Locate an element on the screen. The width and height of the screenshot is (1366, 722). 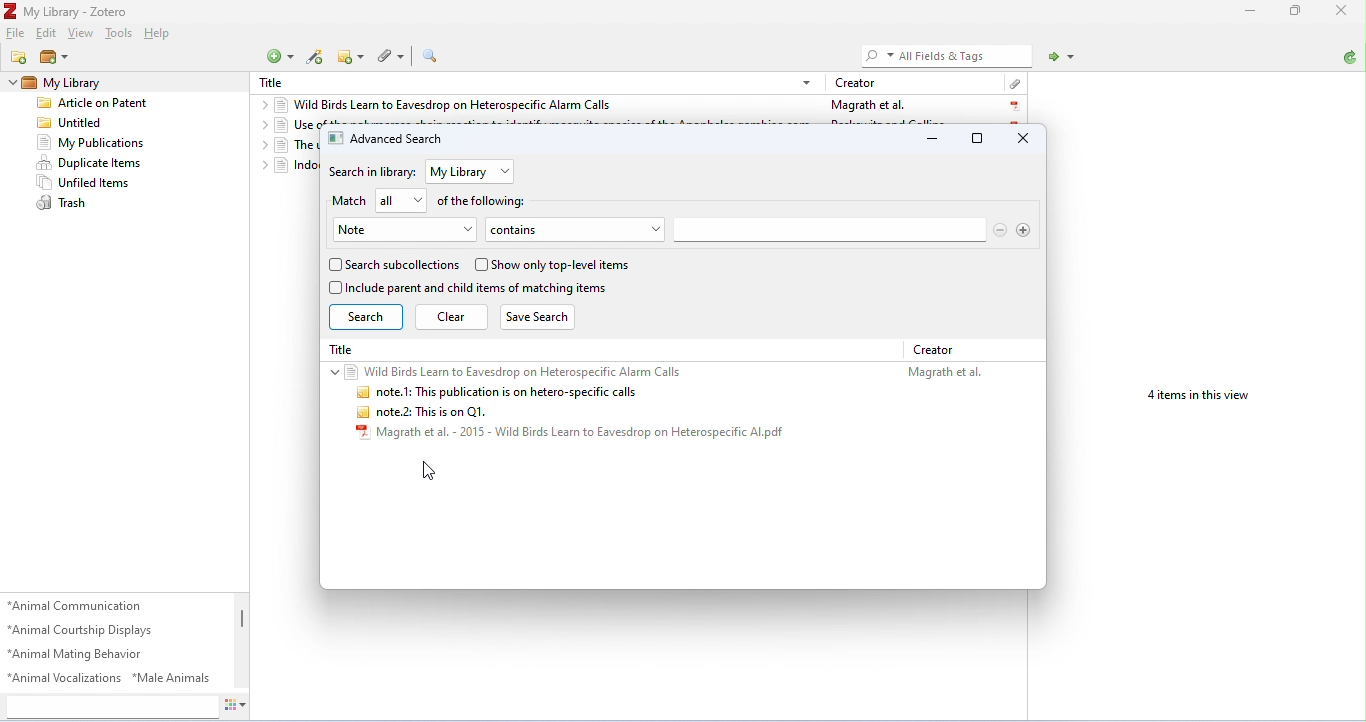
4 items in this view is located at coordinates (1195, 397).